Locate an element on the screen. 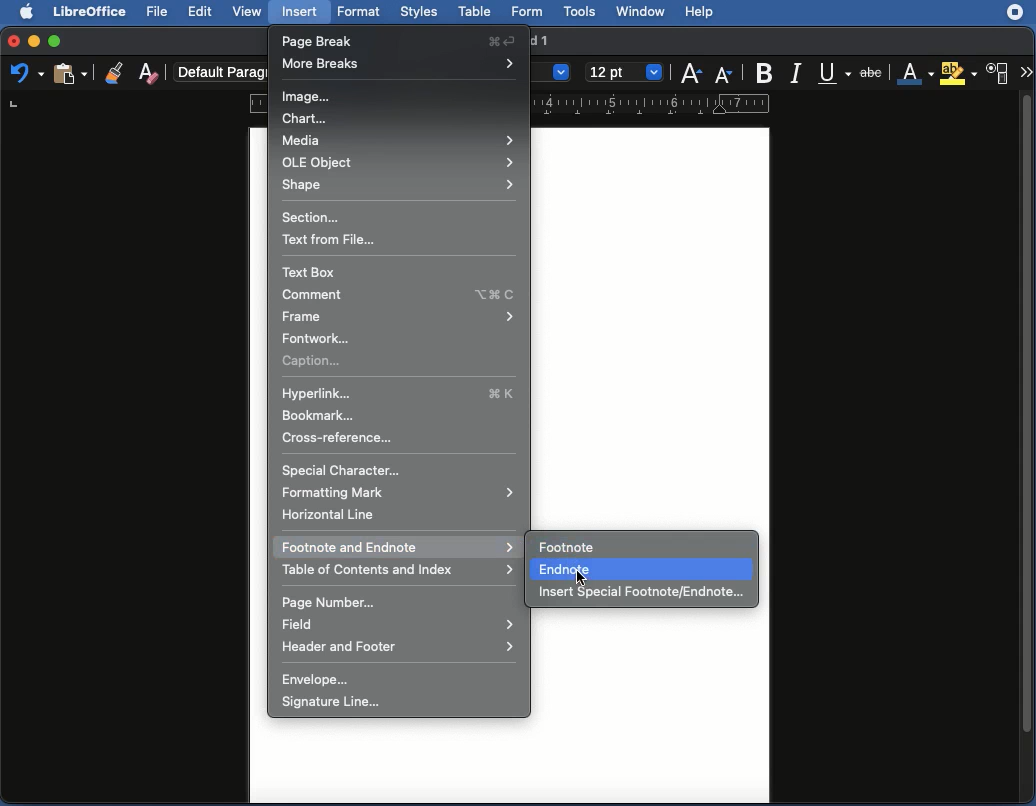 Image resolution: width=1036 pixels, height=806 pixels. Maximize is located at coordinates (54, 39).